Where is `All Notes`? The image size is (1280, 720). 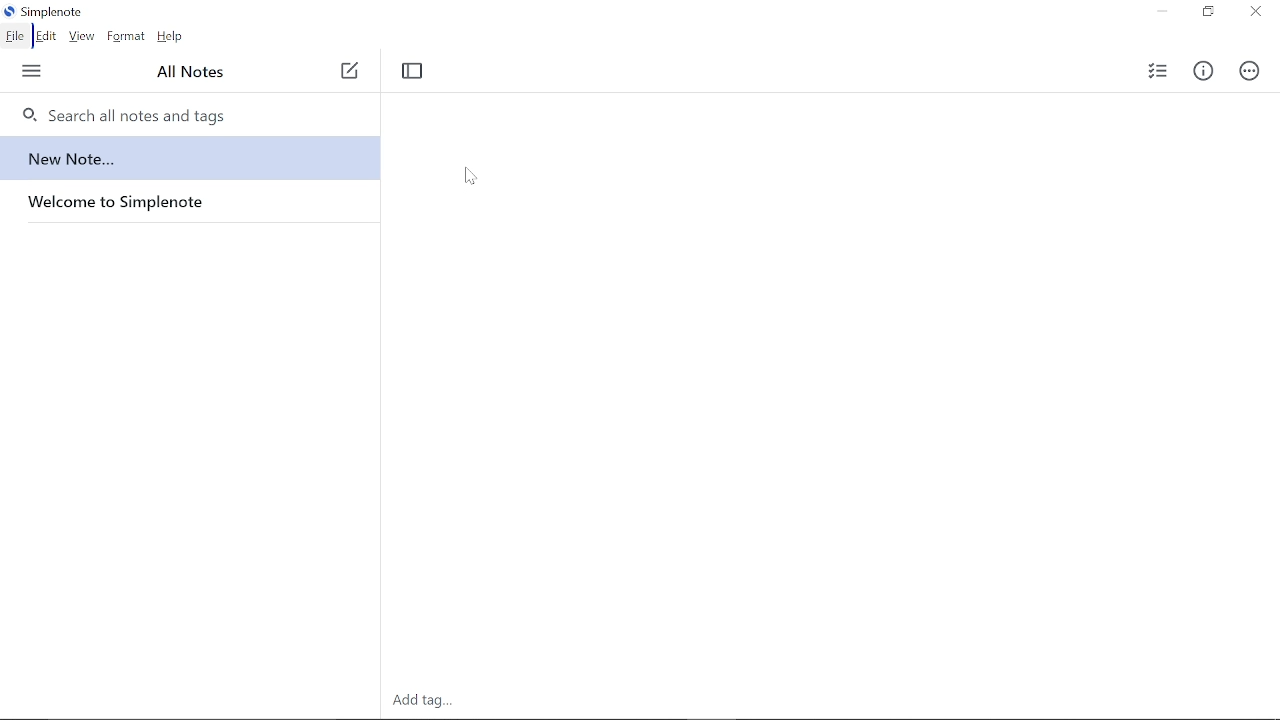 All Notes is located at coordinates (191, 72).